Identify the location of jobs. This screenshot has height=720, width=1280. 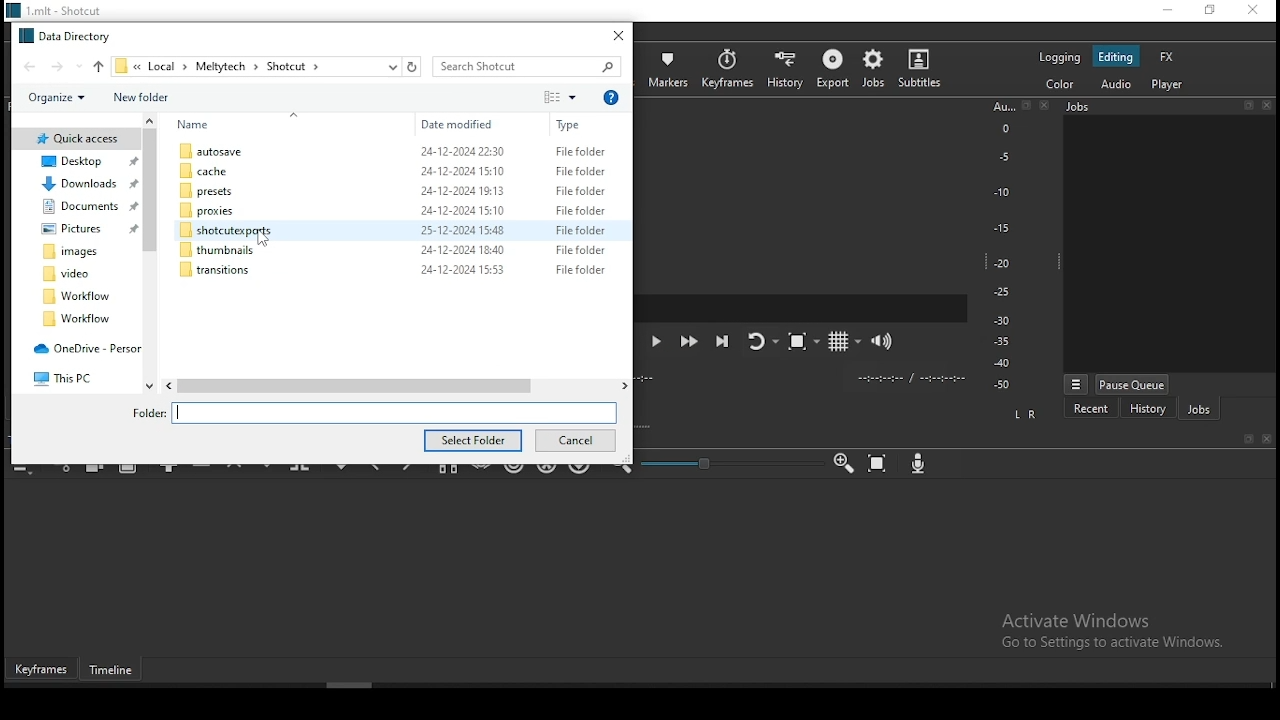
(872, 69).